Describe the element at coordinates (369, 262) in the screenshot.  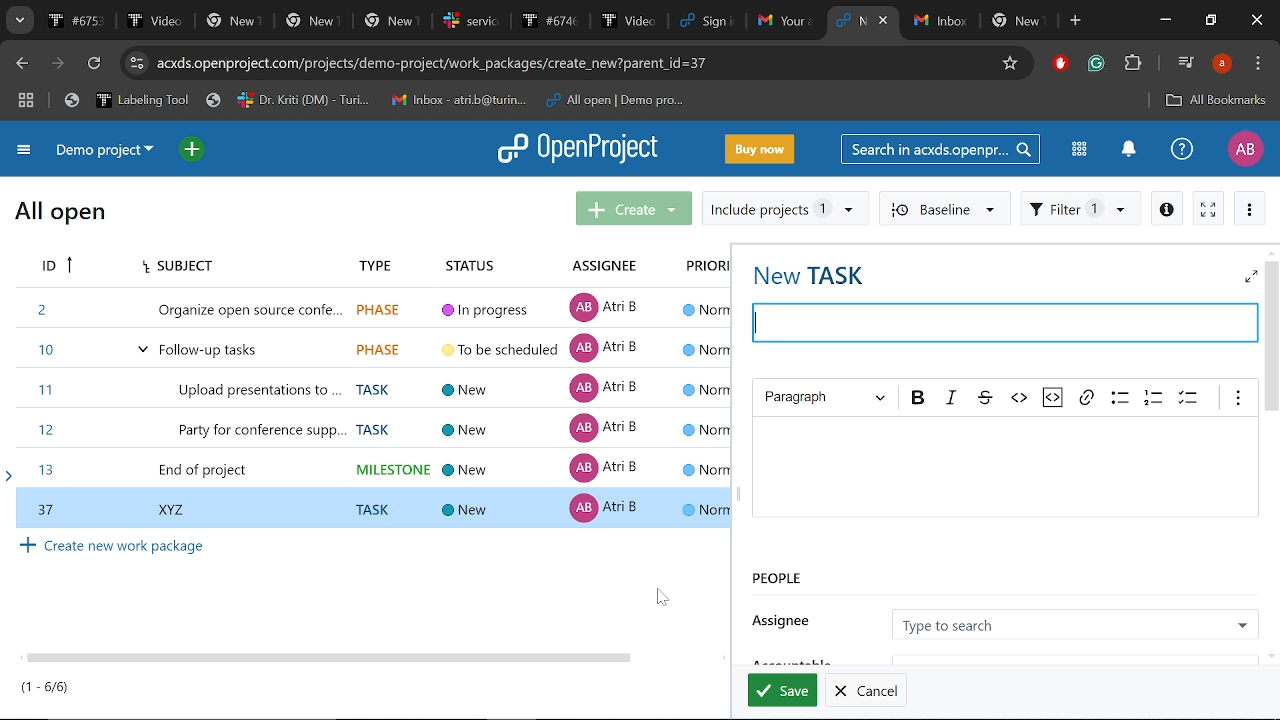
I see `Type` at that location.